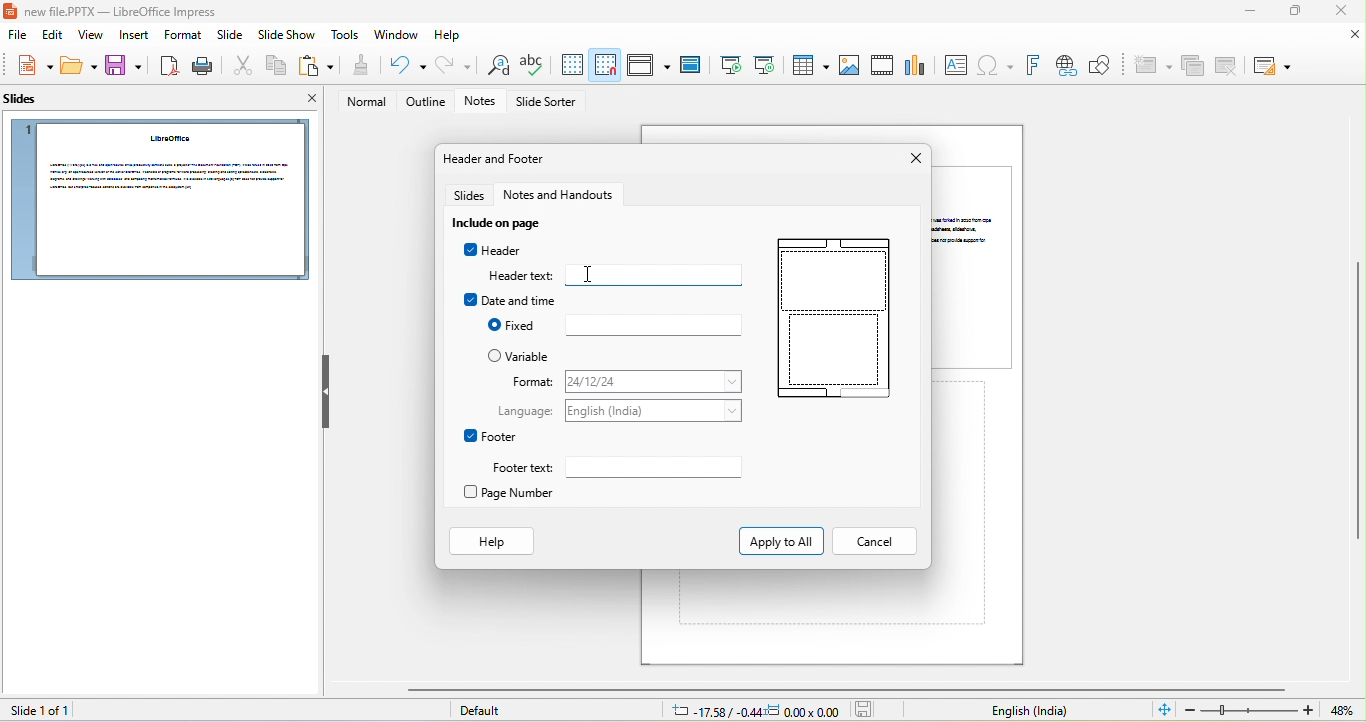 Image resolution: width=1366 pixels, height=722 pixels. Describe the element at coordinates (803, 711) in the screenshot. I see `dimension: 0.00x0.00` at that location.